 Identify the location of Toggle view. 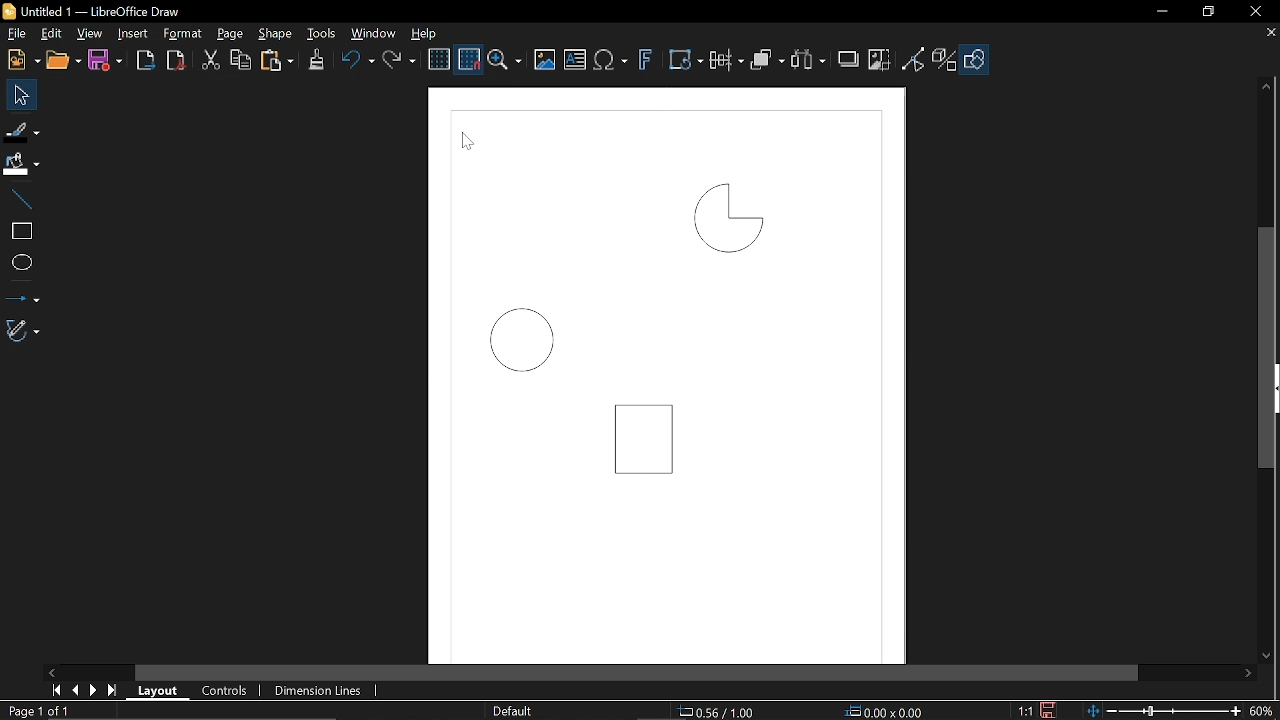
(913, 58).